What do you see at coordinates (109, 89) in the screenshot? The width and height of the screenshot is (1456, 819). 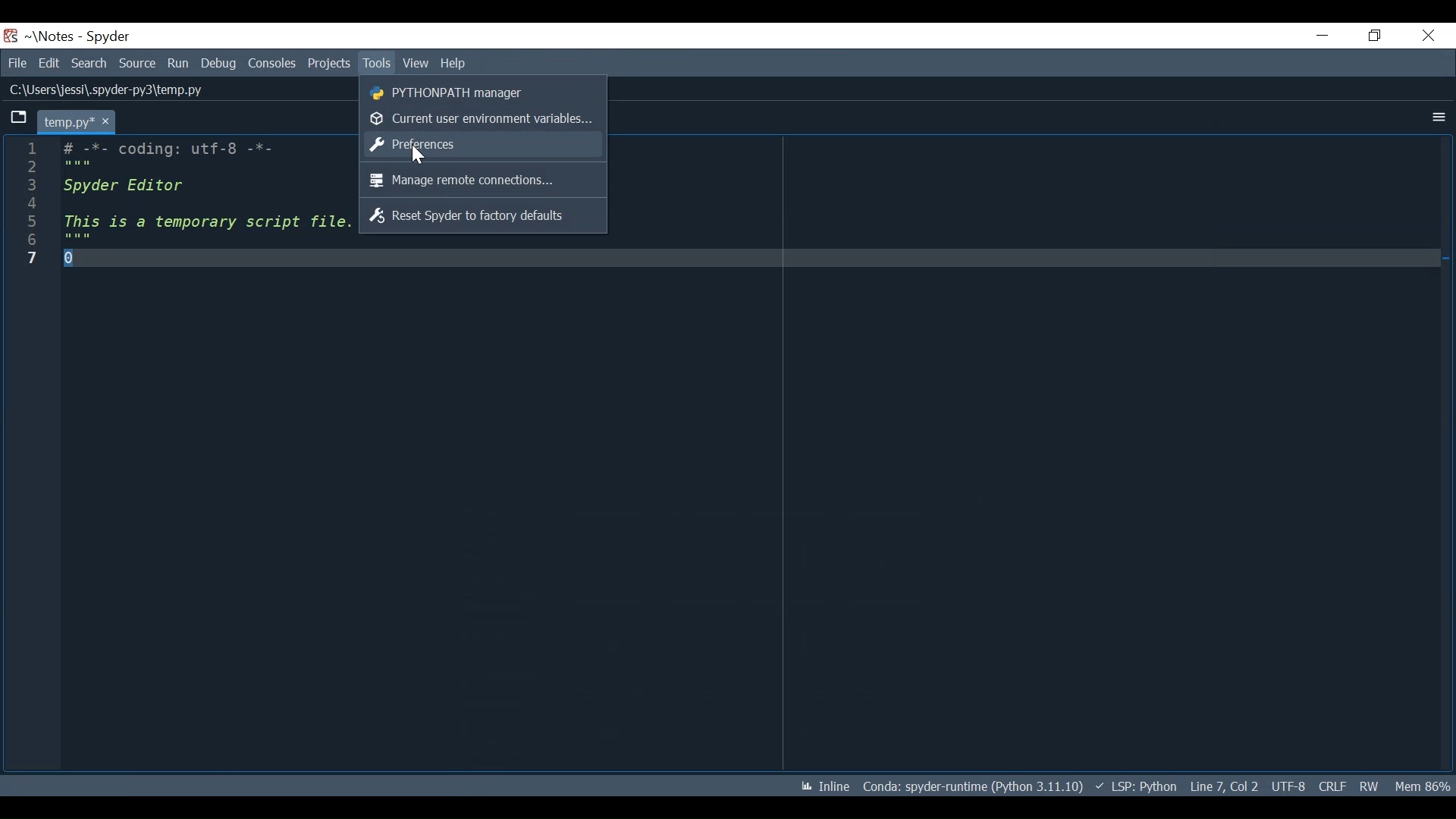 I see `File Path` at bounding box center [109, 89].